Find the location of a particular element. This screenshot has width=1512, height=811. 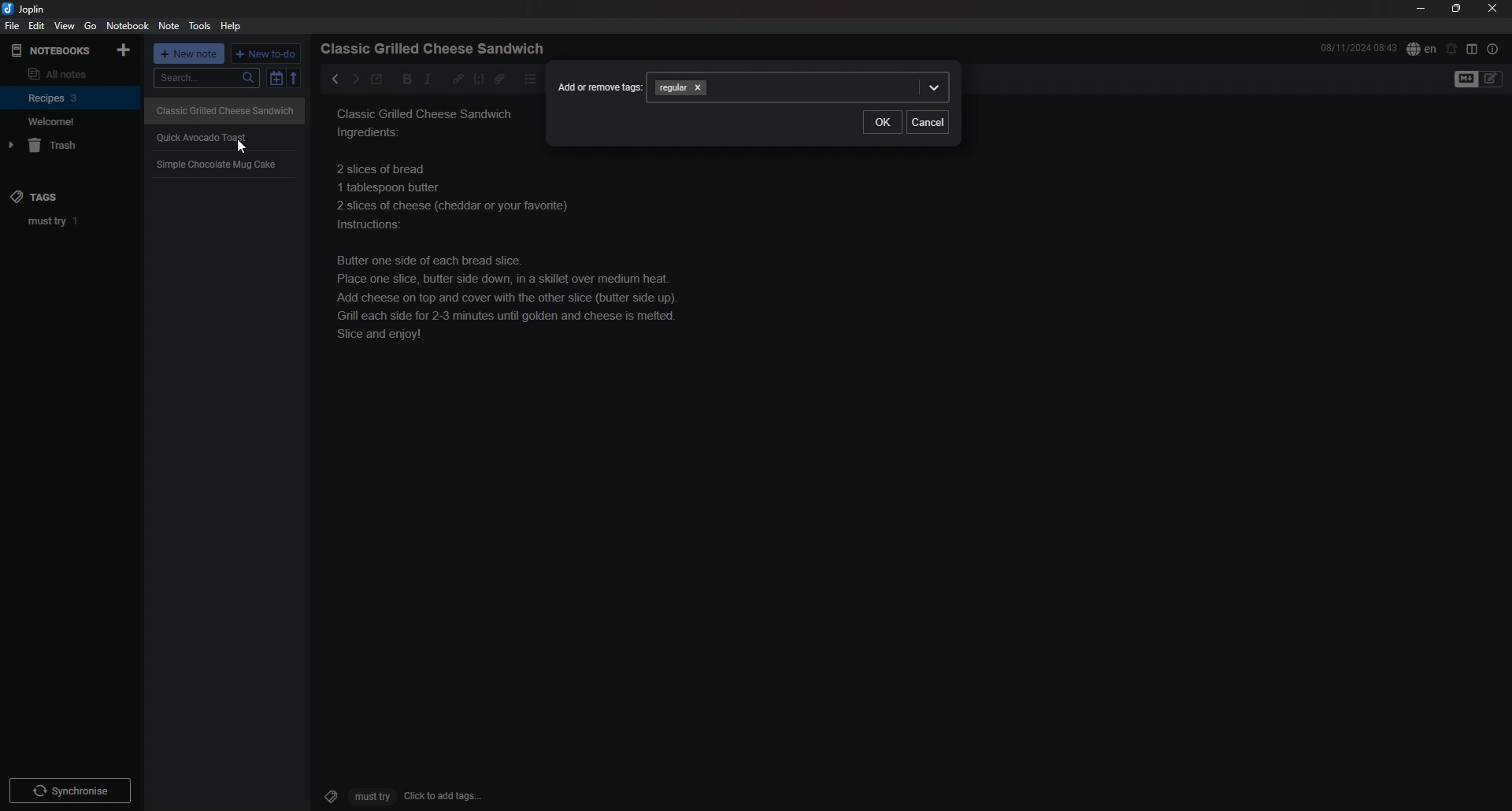

tags is located at coordinates (48, 196).